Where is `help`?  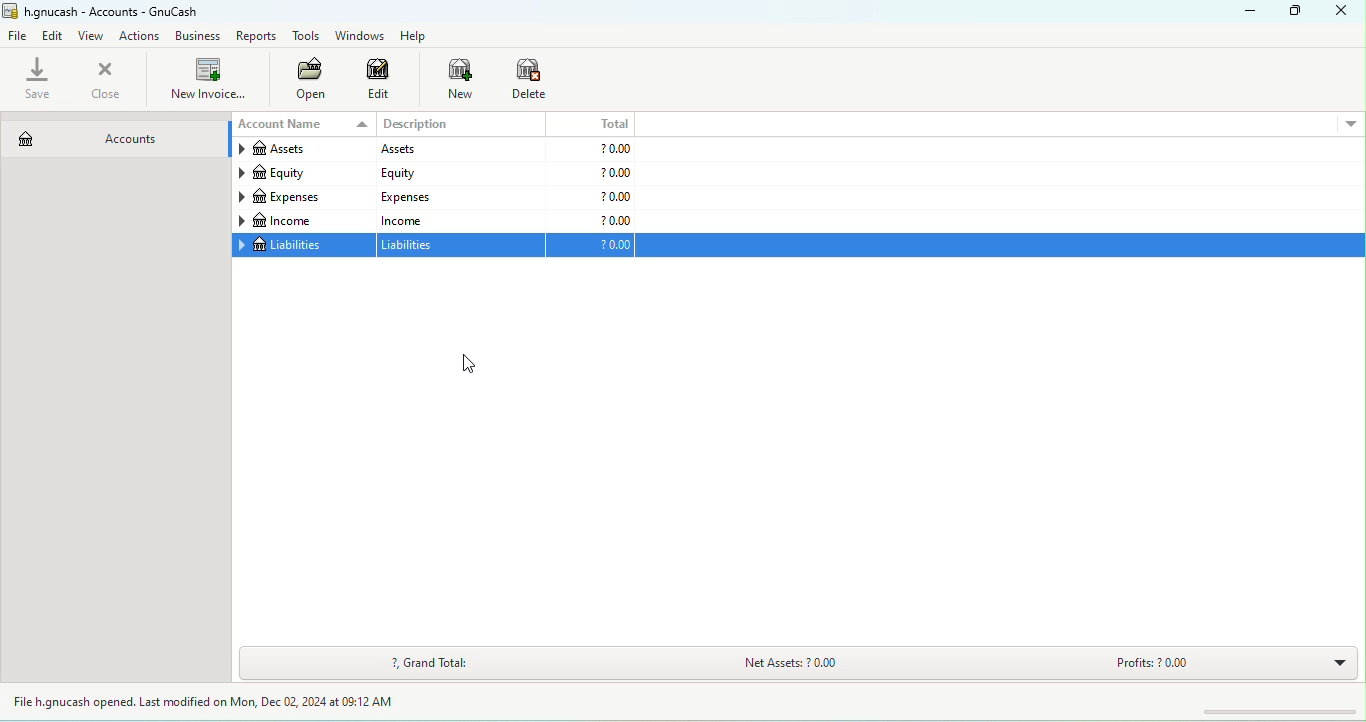
help is located at coordinates (418, 36).